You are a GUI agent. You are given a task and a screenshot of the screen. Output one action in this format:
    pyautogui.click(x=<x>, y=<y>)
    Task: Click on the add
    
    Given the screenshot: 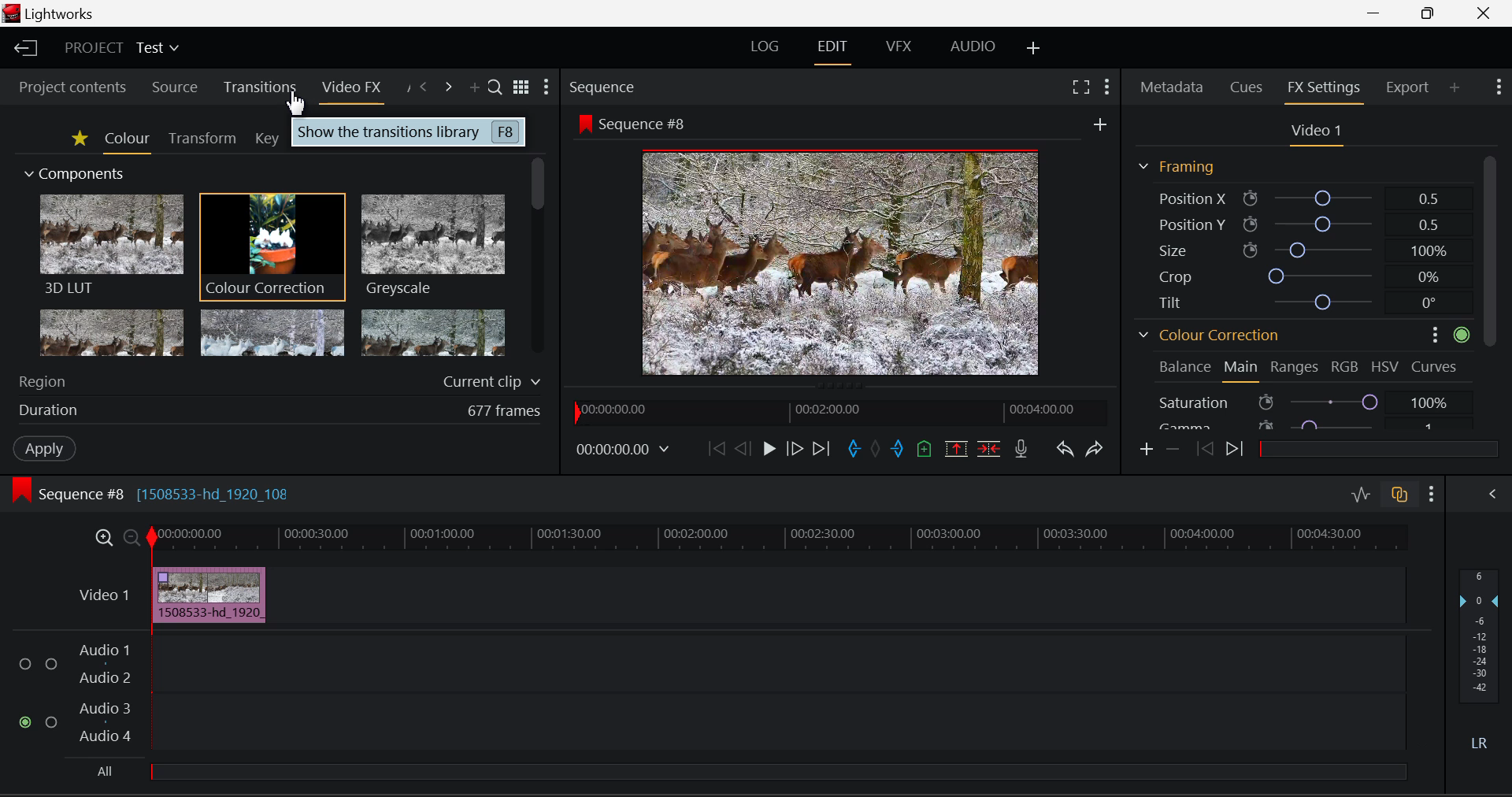 What is the action you would take?
    pyautogui.click(x=1100, y=121)
    